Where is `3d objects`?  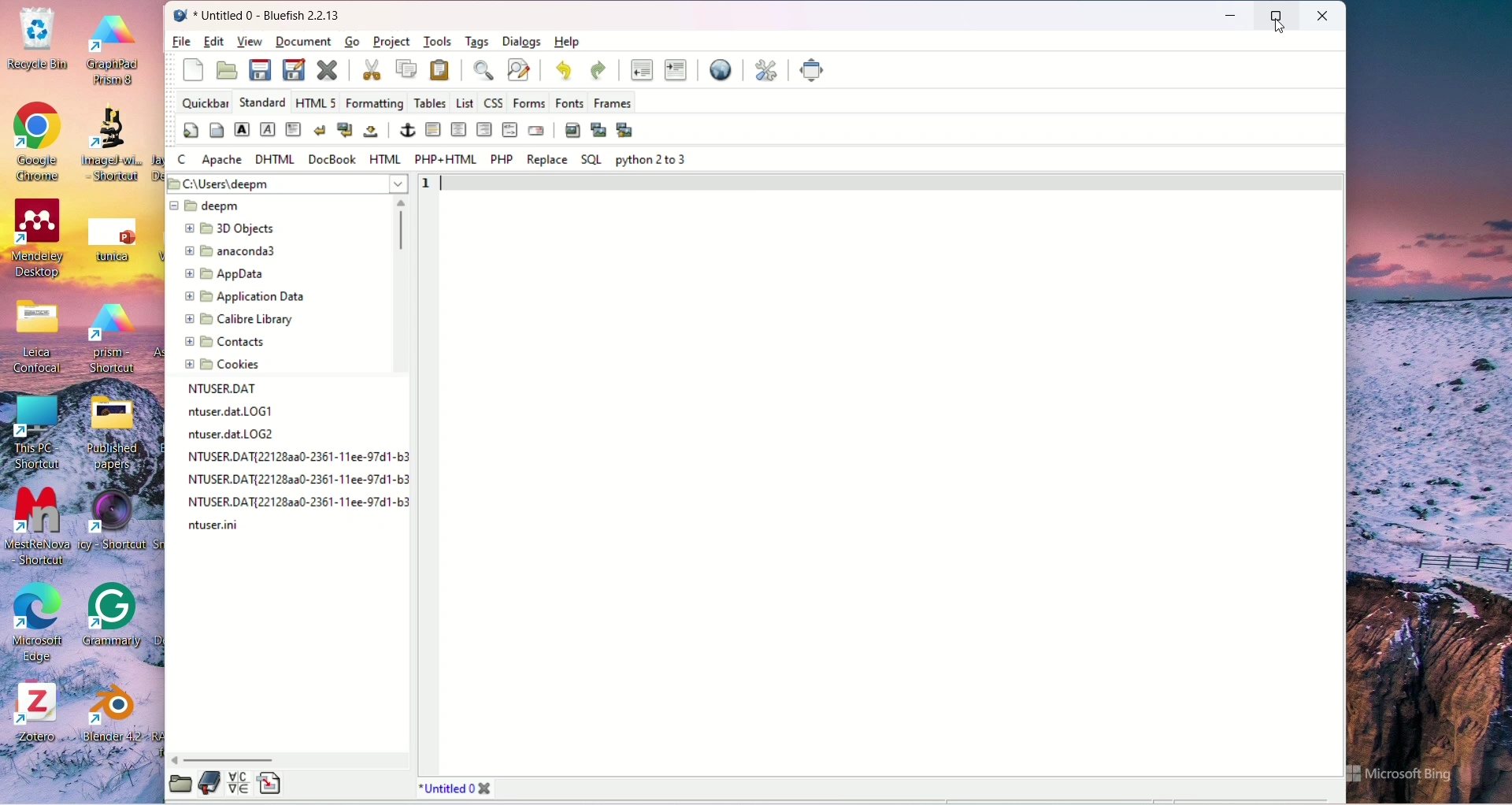
3d objects is located at coordinates (230, 228).